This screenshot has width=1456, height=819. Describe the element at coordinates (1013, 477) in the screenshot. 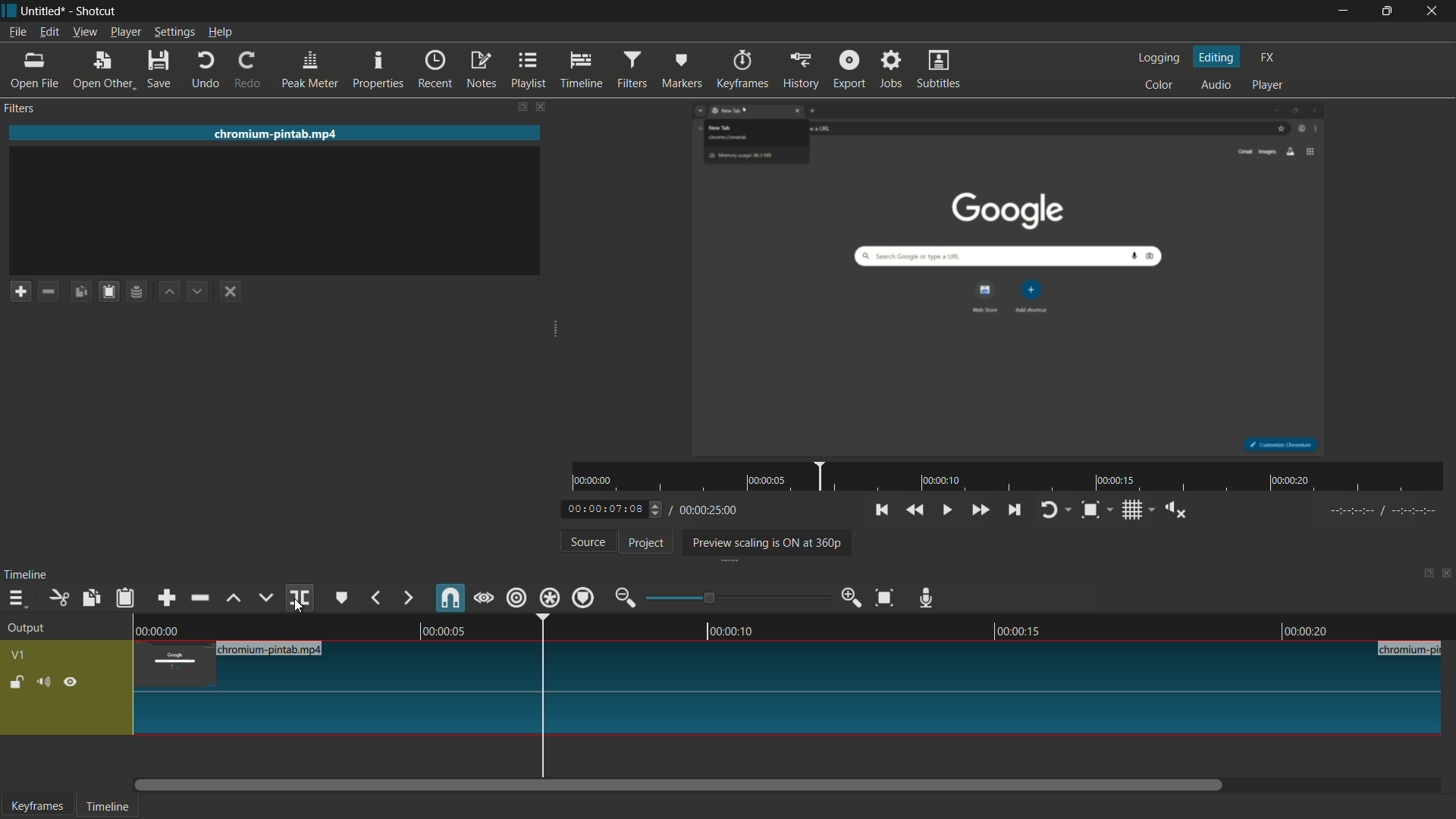

I see `time` at that location.